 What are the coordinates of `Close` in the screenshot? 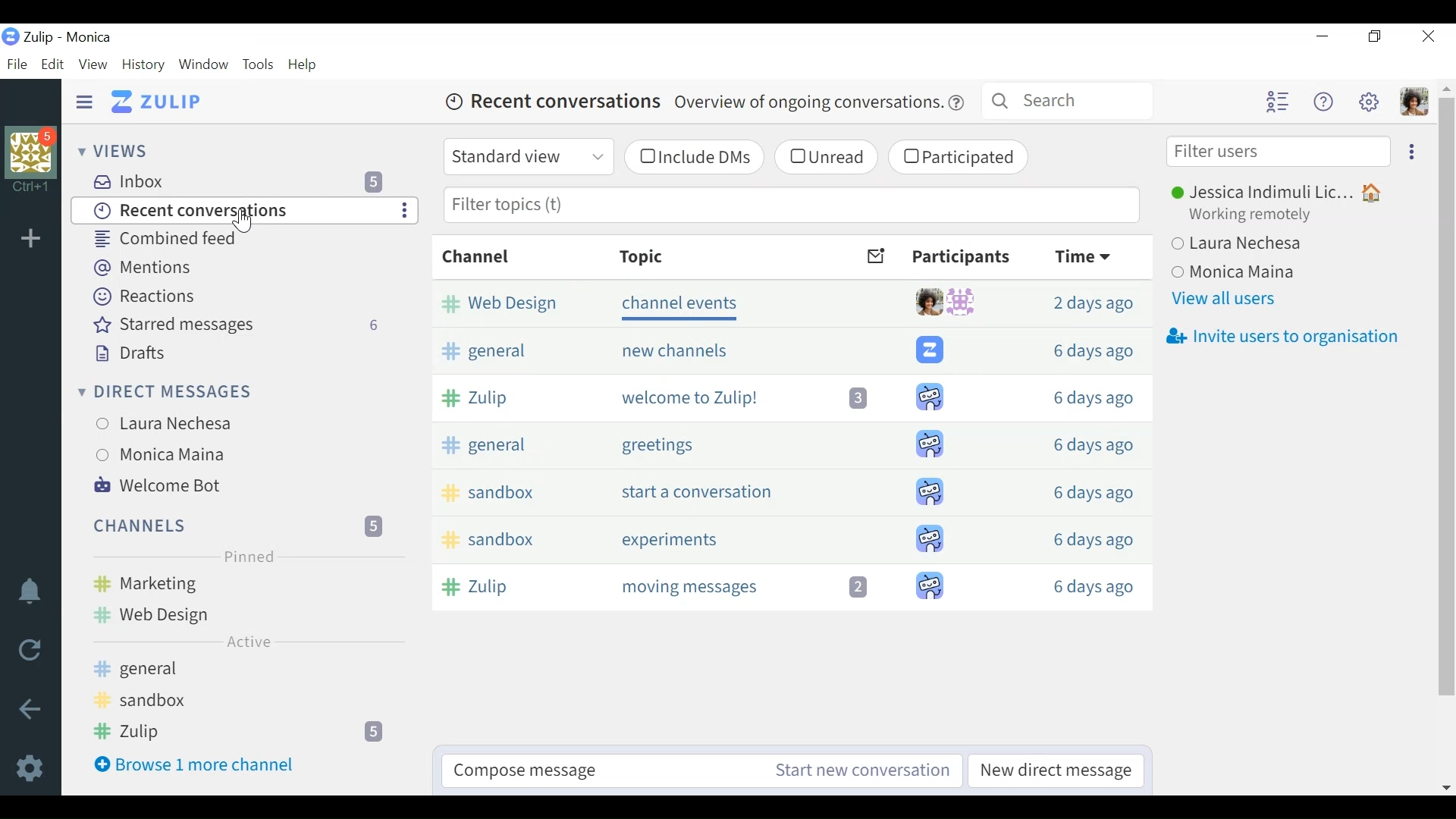 It's located at (1427, 36).